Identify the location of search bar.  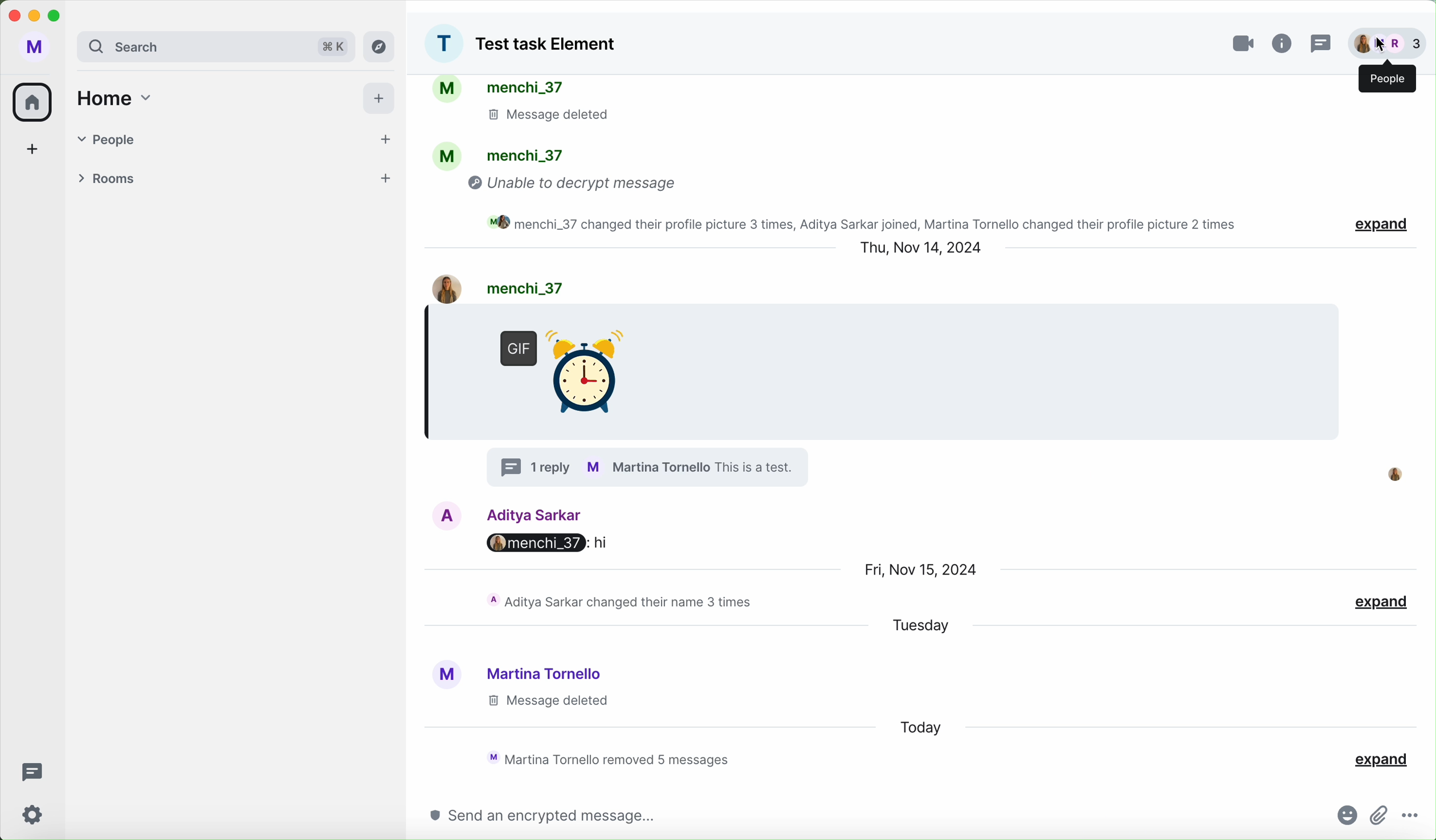
(186, 46).